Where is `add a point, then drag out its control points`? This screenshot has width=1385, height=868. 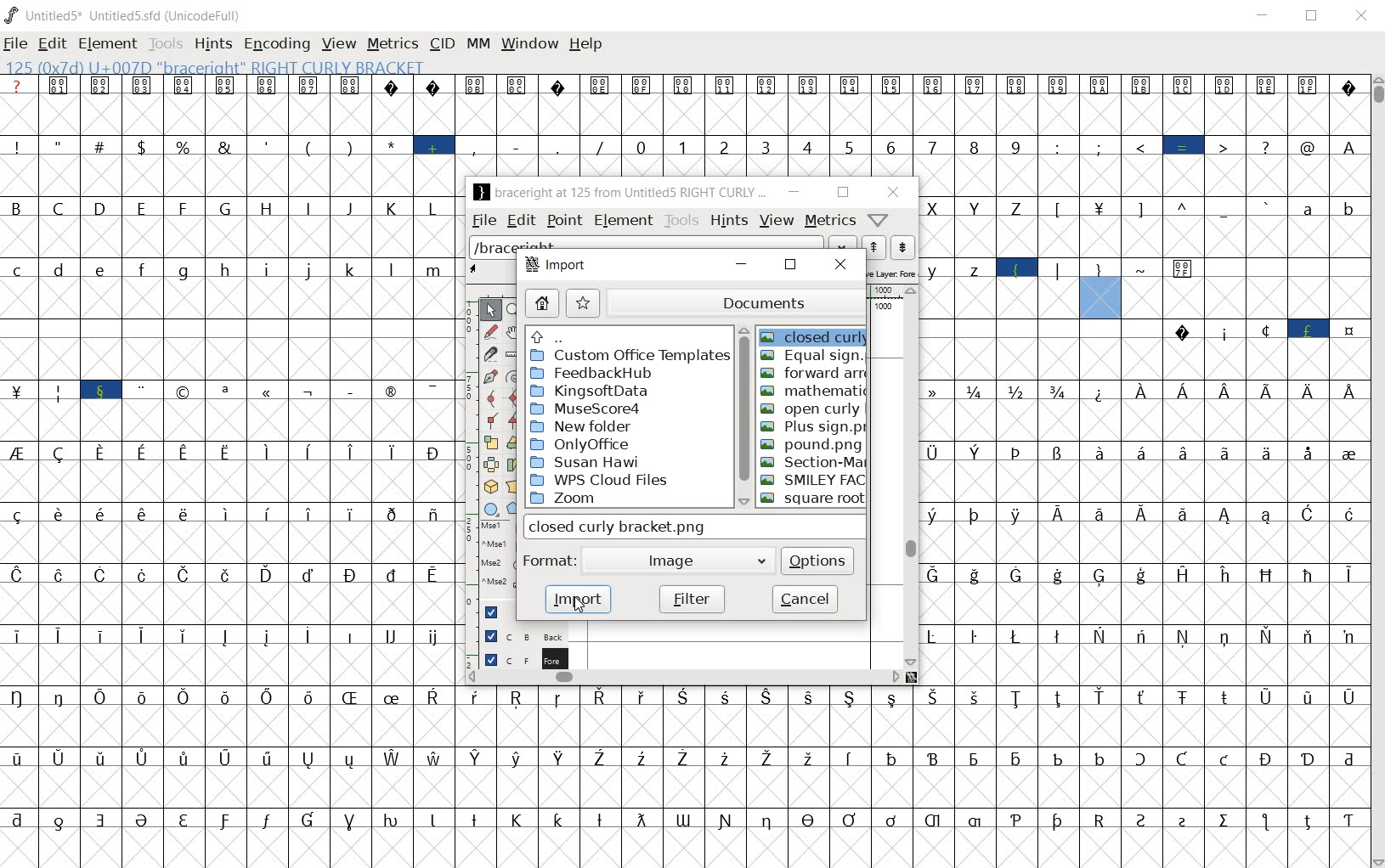 add a point, then drag out its control points is located at coordinates (488, 378).